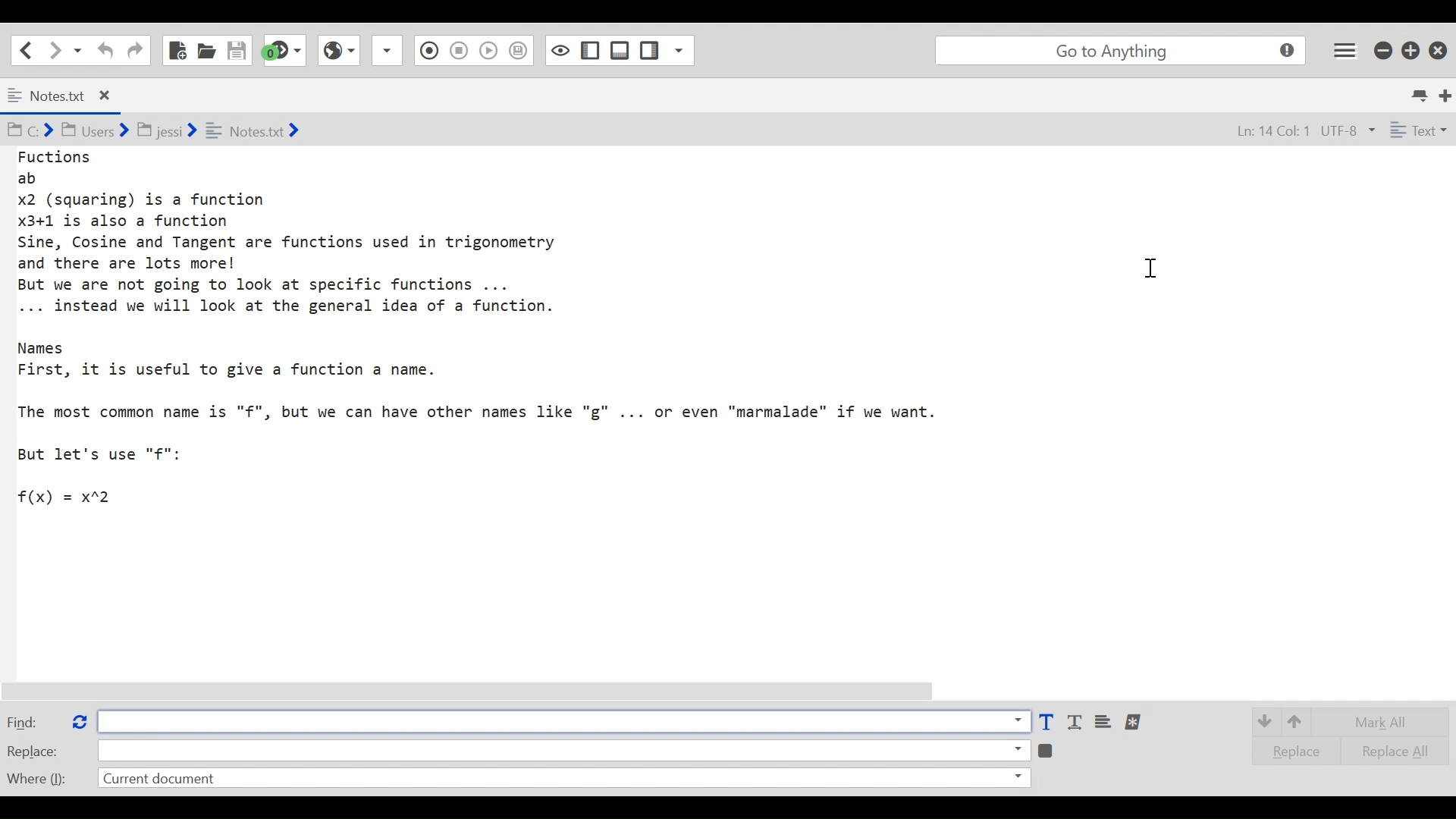 The height and width of the screenshot is (819, 1456). I want to click on Replace, so click(33, 751).